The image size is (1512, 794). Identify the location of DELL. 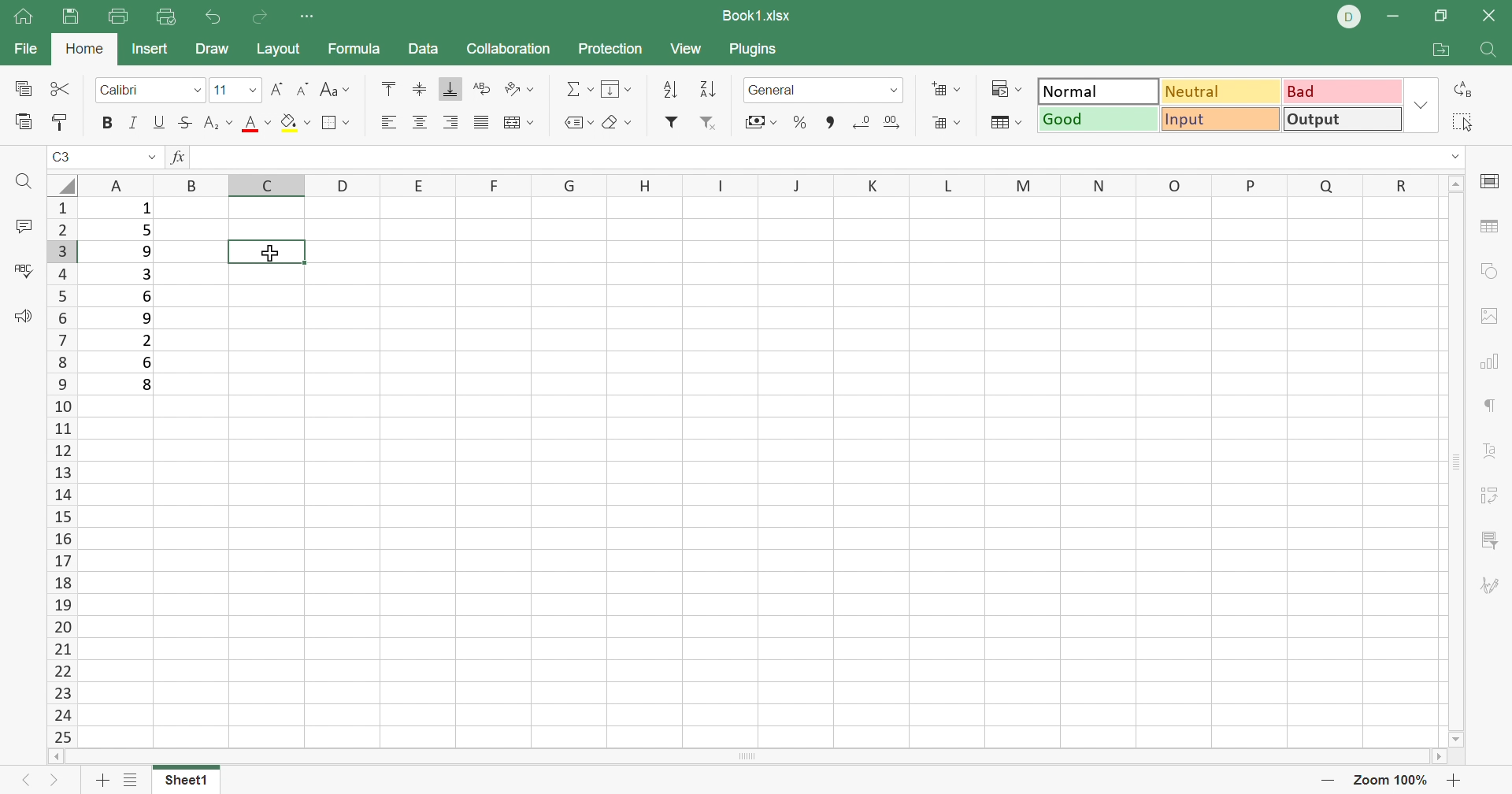
(1347, 17).